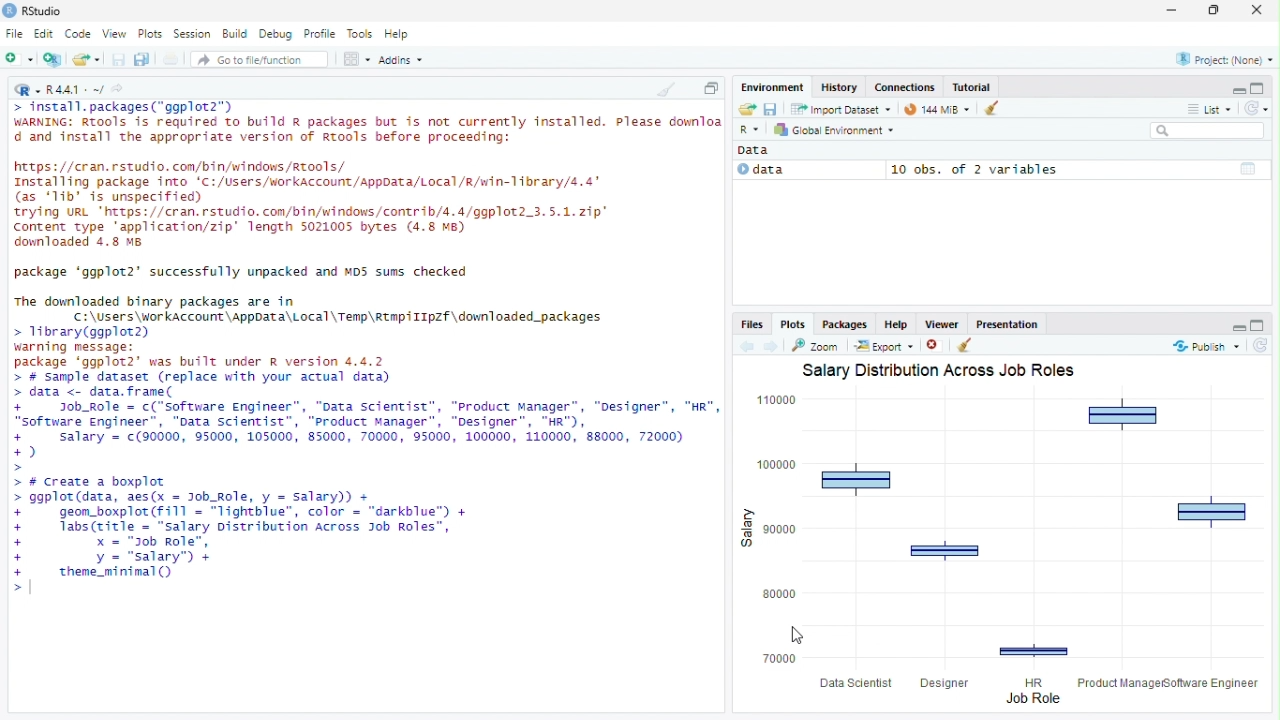 The height and width of the screenshot is (720, 1280). Describe the element at coordinates (365, 354) in the screenshot. I see `Code - > install.packages("ggplot2") WARNING: Rtools is required to build R packages but is not currently installed. Please downloa d and install the appropriate version of Rtools before proceeding:  https://cran.rstudio.com/bin/windows/Rtools/ Installing package into 'C:/Users/workAccount/AppData/Local/R/win-library/4.4' (as 'lib' is unspecified) trying URL 'https://cran.rstudio.com/bin/windows/contrib/4.4/ggplot2_3.5.1.zip' Content type 'application/zip' length 5021005 bytes (4.8 MB) downloaded 4.8 MB  package ggplot2' successfully unpacked and MD5 sums checked The downloaded binary packages are in C:\Users\workAccount\AppData\Local\Temp\RtmpiIIpZf\downloaded_packages > library(ggplot2) > Files warning message: package ggplot2' was built under R version 4.4.2 > # Sample dataset (replace with your actual data) > data <- data.frame( + Job_Role c("Software Engineer", "Data Scientist", "Product Manager", "Designer", "HR", "Software Engineer", "Data Scientist", "Product Manager", "Designer", "HR"), + salary c(90000, 95000, 105000, 85000, 70000, 95000, 100000, 110000, 88000, 72000)  > Create a boxplot > ggplot(data, aes (x Job Role, y salary)) + geom_boxplot(fill "lightblue", color "darkblue") + + + labs (title "Salary Distribution Across Job Roles", y = "salary") + + x = "Job Role", theme minimal()` at that location.